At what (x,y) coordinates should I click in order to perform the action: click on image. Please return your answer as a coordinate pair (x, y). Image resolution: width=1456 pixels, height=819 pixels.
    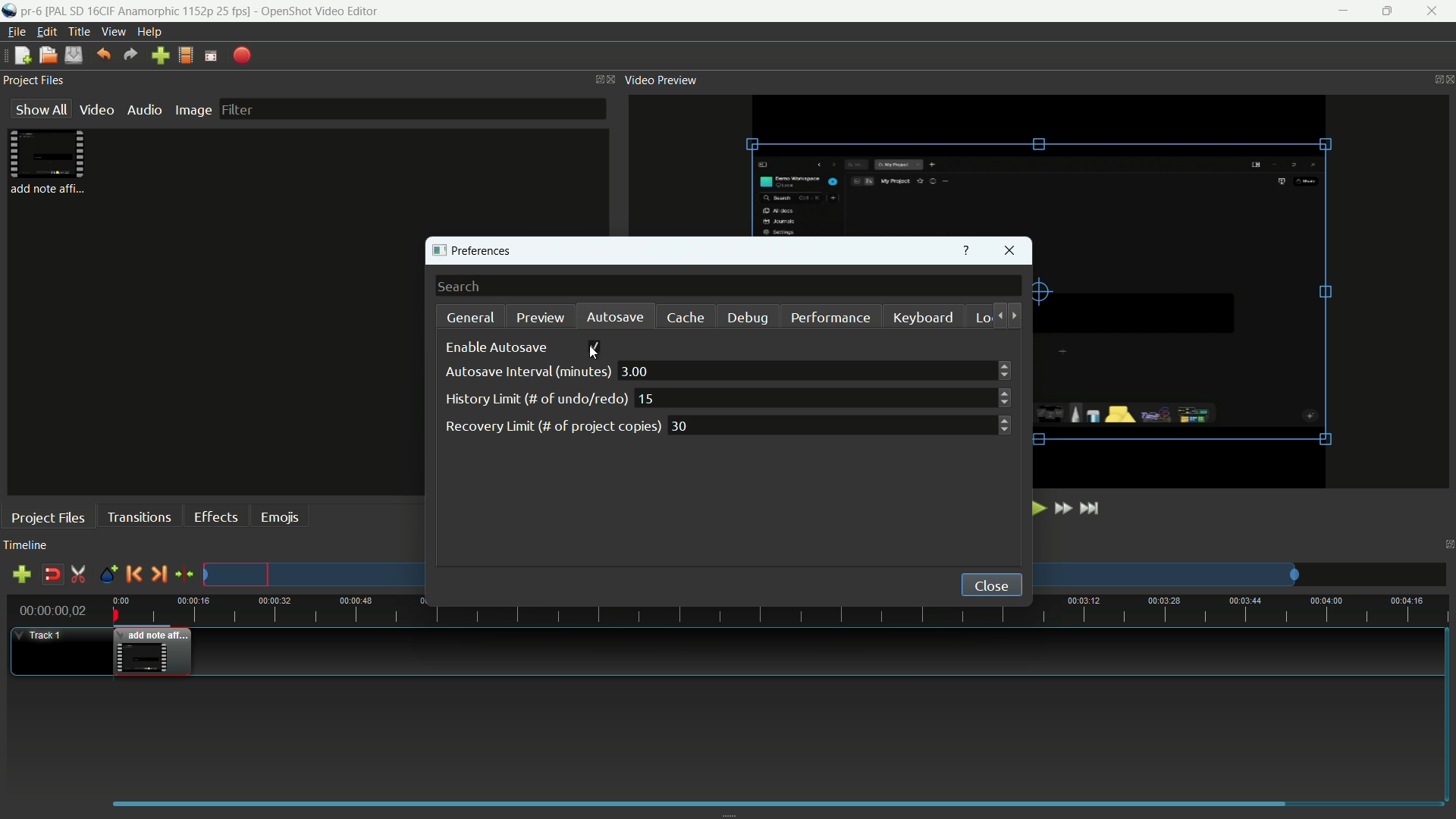
    Looking at the image, I should click on (193, 110).